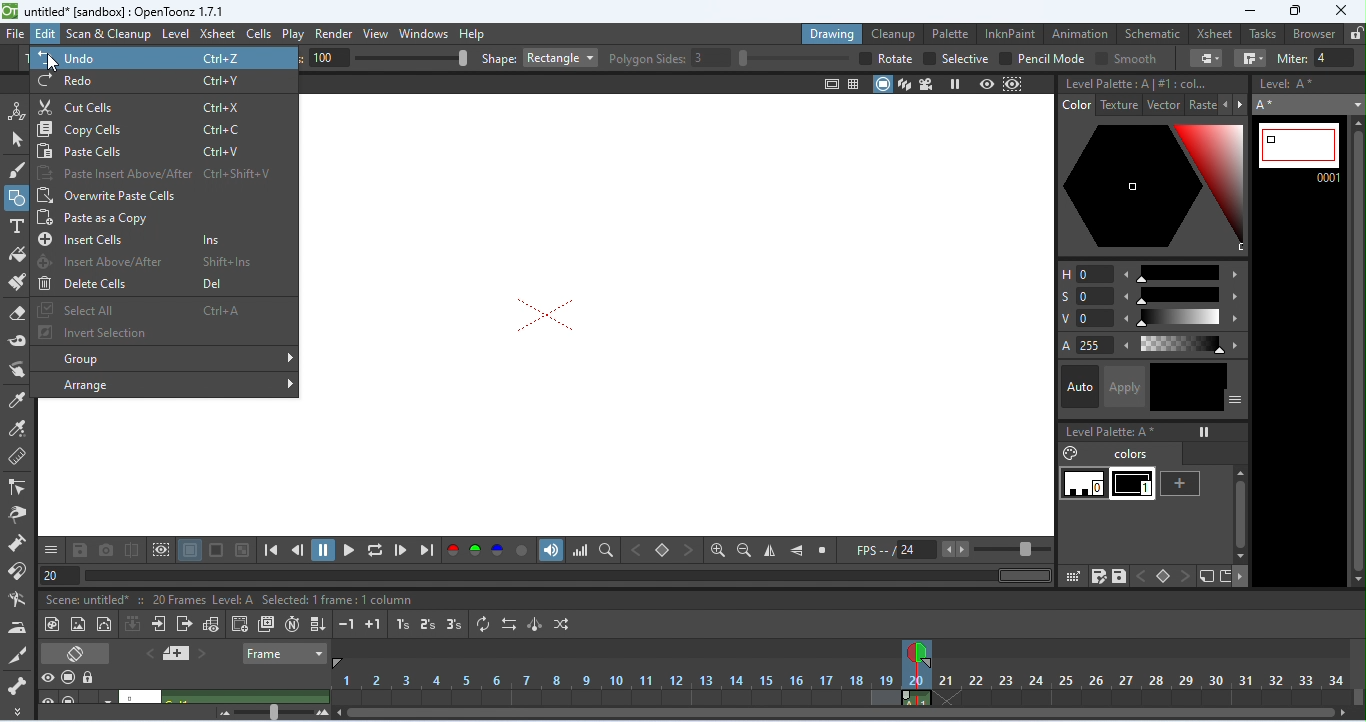  Describe the element at coordinates (79, 549) in the screenshot. I see `save images` at that location.